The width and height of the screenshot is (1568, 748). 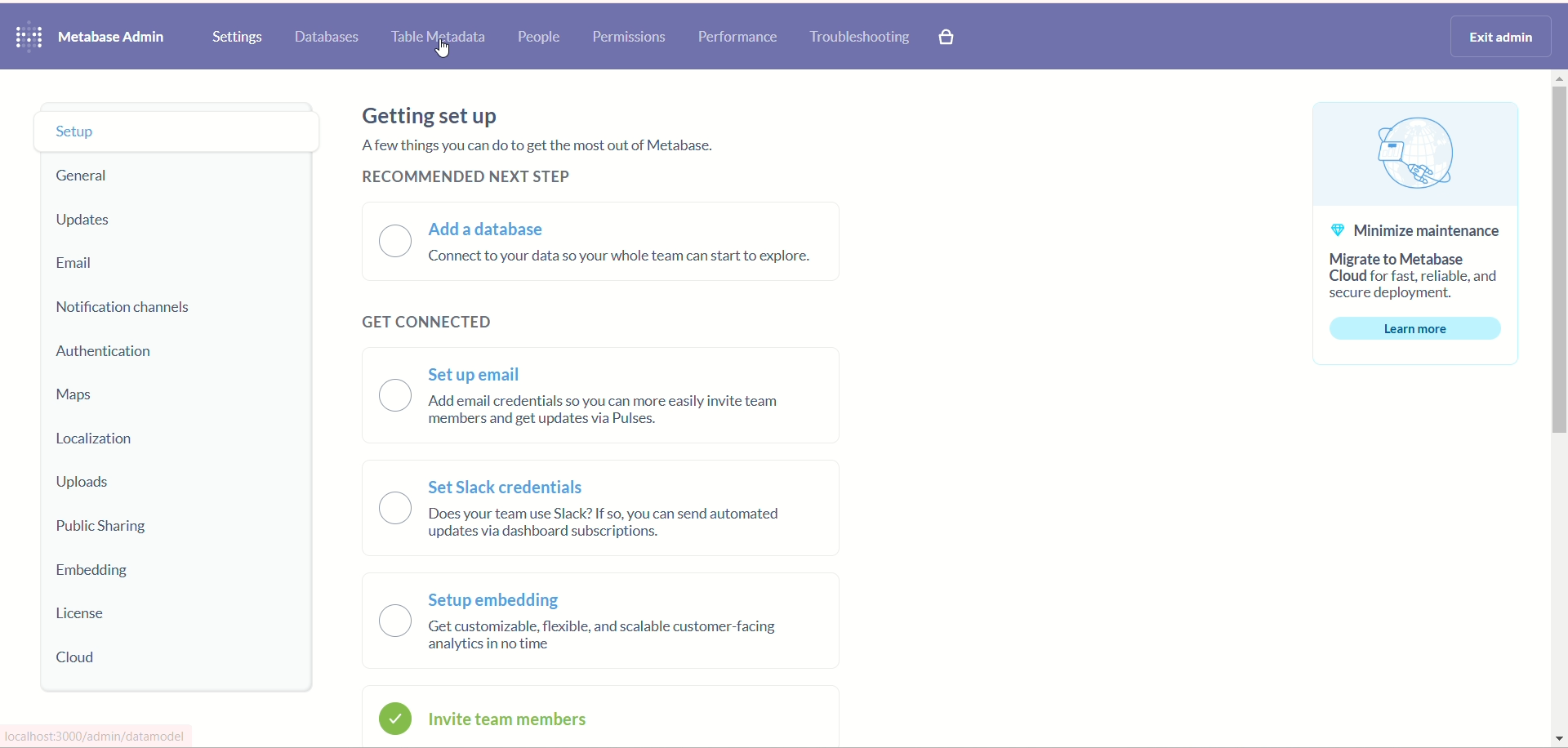 I want to click on text, so click(x=613, y=501).